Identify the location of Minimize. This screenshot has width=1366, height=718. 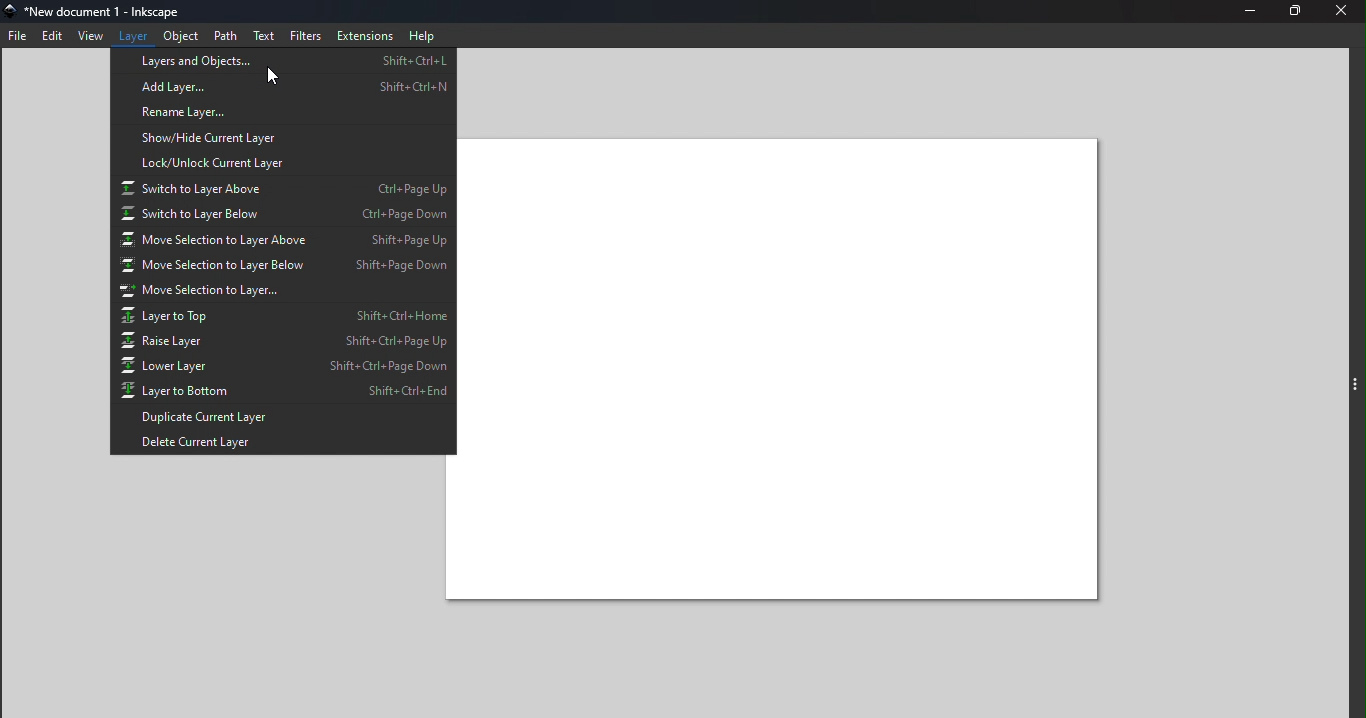
(1245, 12).